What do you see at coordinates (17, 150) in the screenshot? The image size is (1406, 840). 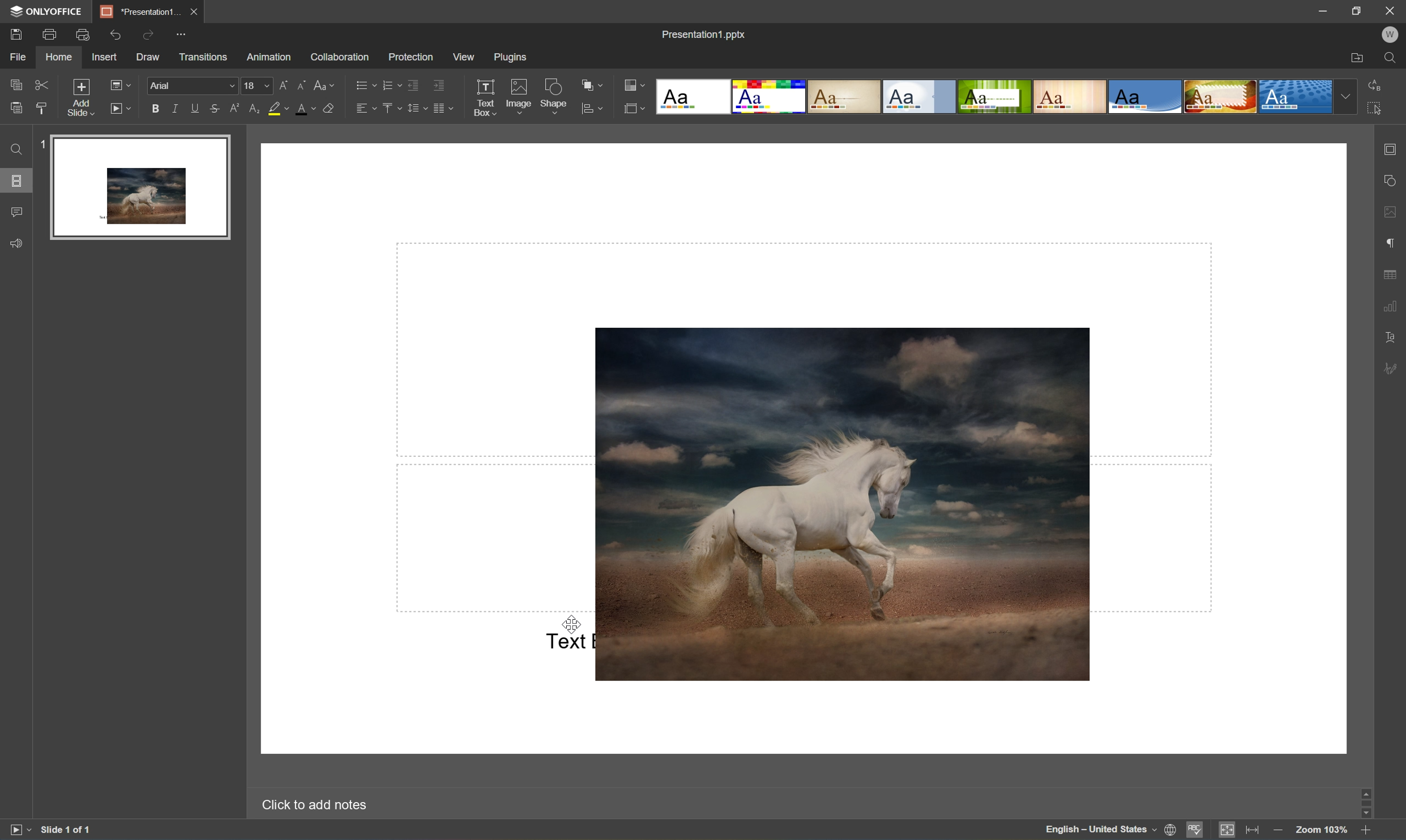 I see `Find` at bounding box center [17, 150].